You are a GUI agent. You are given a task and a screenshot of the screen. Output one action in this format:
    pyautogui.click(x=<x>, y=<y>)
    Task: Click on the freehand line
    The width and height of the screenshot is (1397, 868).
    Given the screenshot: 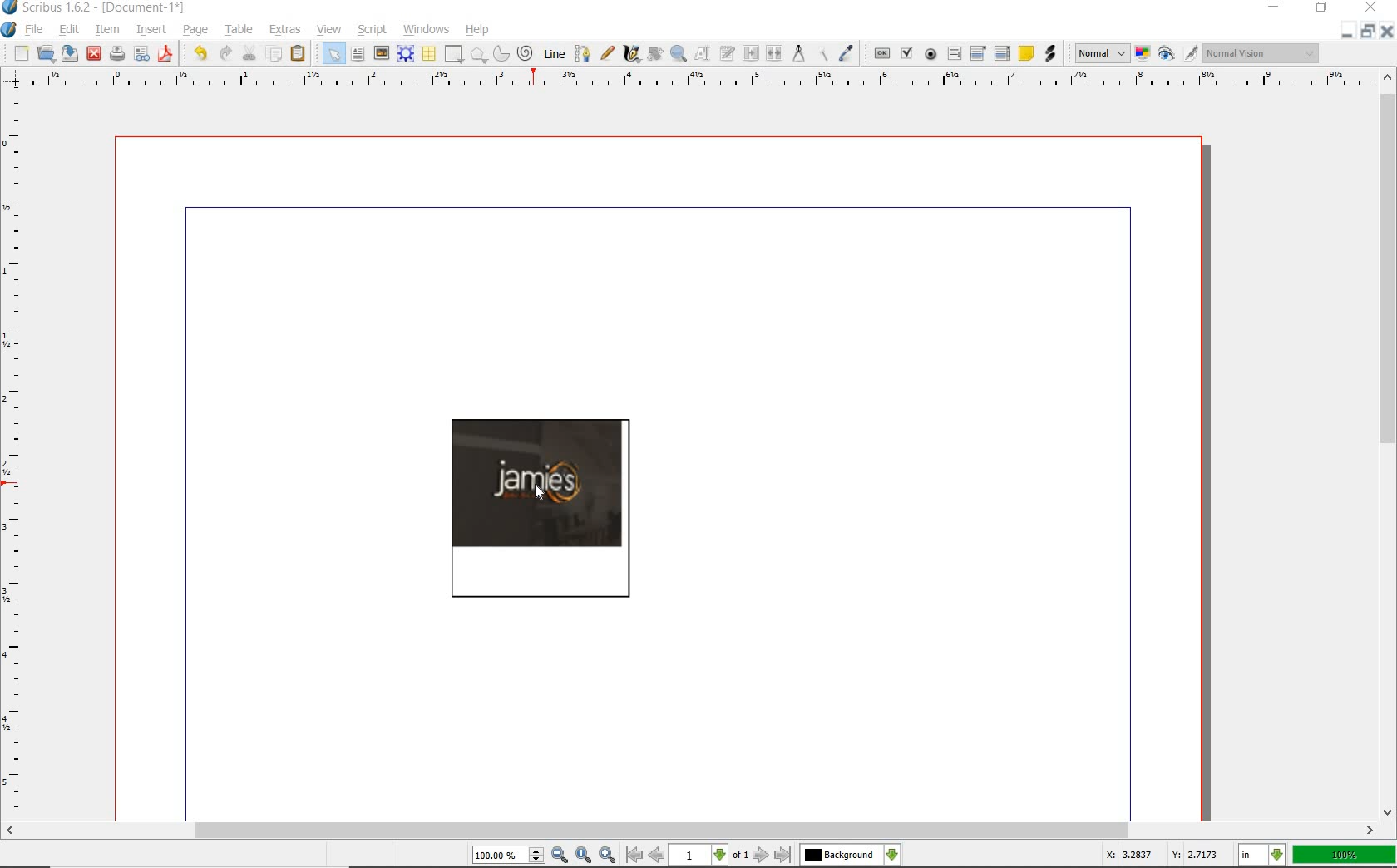 What is the action you would take?
    pyautogui.click(x=606, y=55)
    